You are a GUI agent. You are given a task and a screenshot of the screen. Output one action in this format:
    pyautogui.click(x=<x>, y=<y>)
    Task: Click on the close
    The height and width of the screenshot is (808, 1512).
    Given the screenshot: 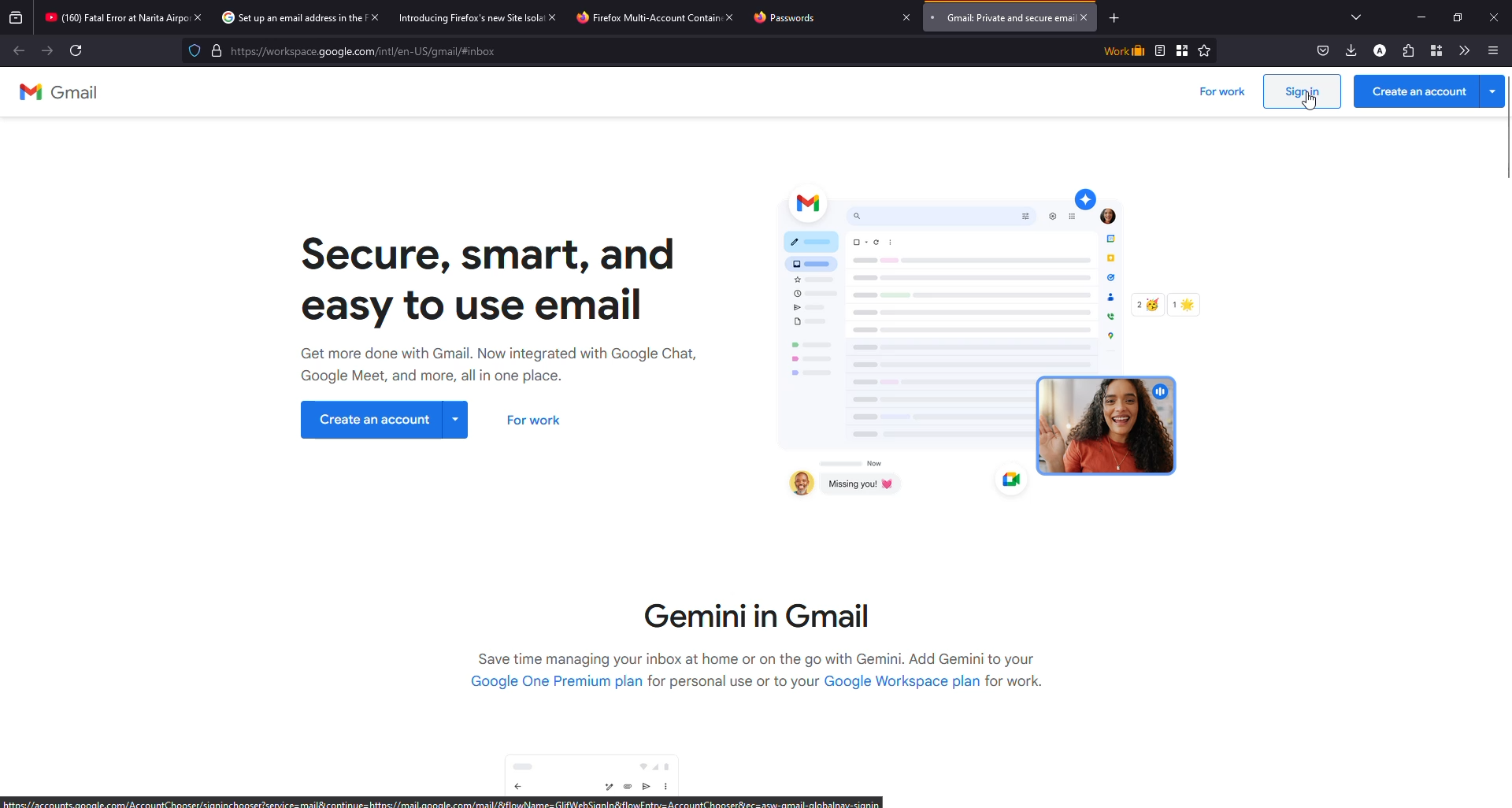 What is the action you would take?
    pyautogui.click(x=1496, y=16)
    